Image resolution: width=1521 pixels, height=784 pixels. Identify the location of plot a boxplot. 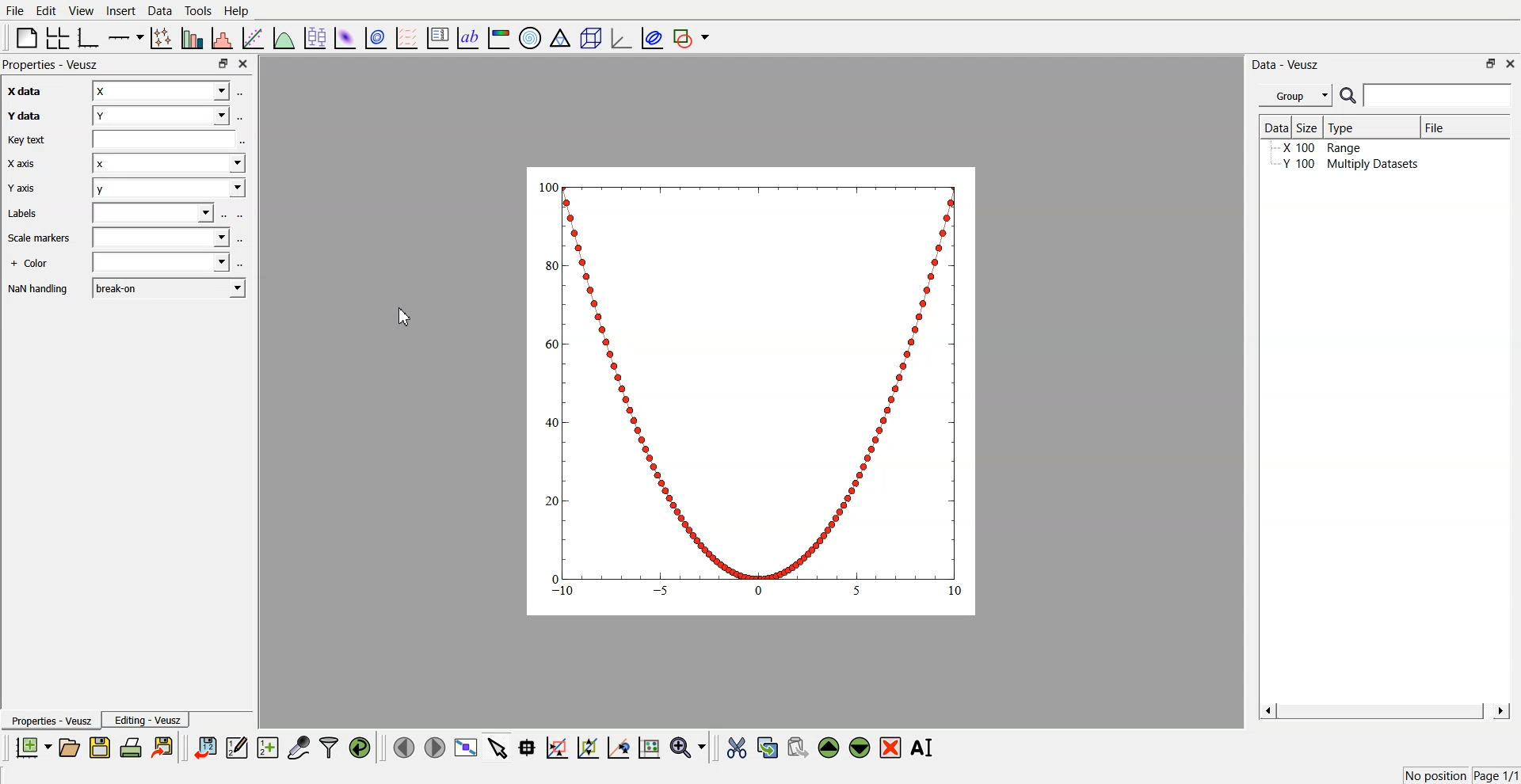
(314, 36).